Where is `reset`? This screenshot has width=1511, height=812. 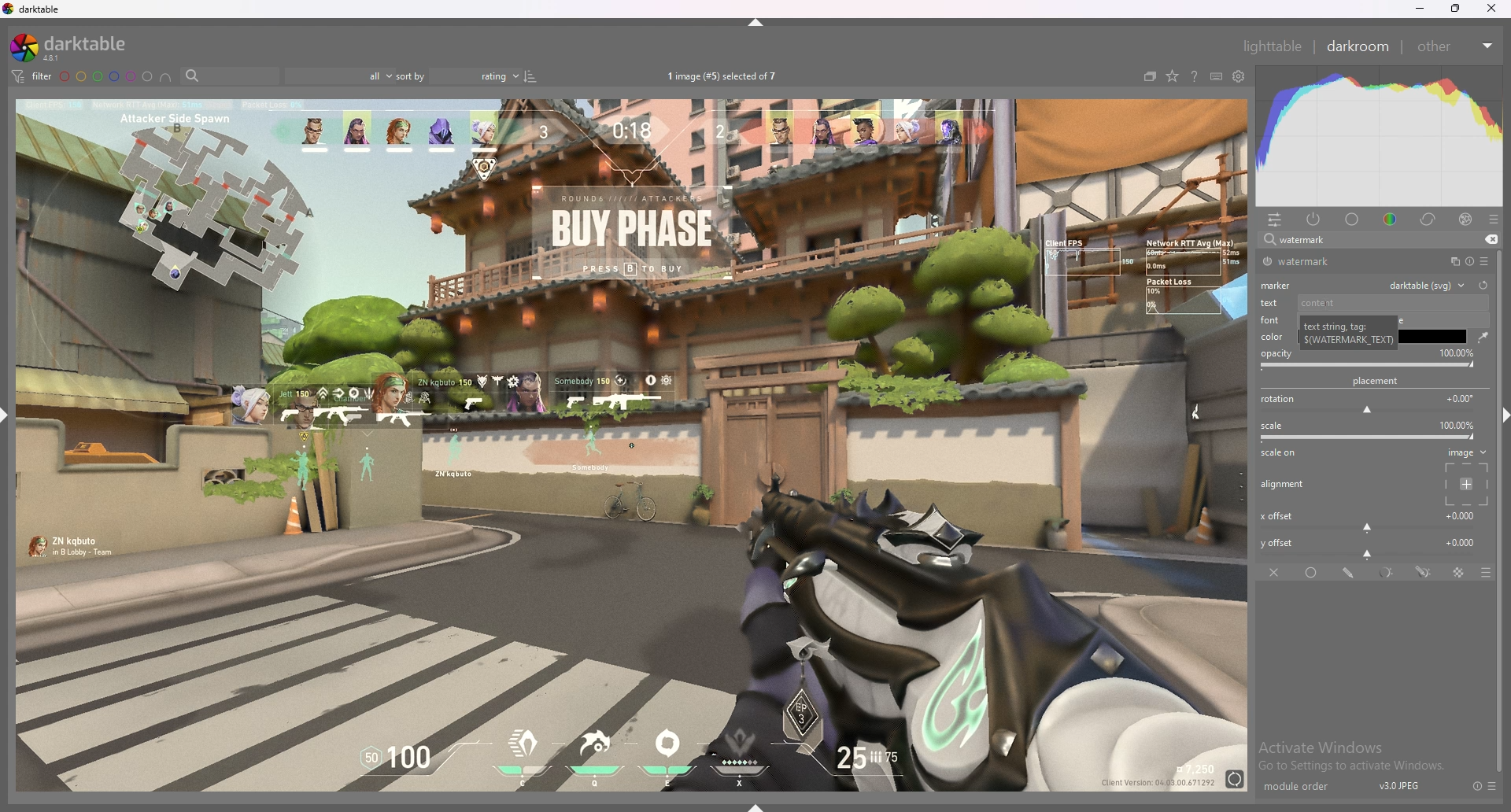
reset is located at coordinates (1469, 262).